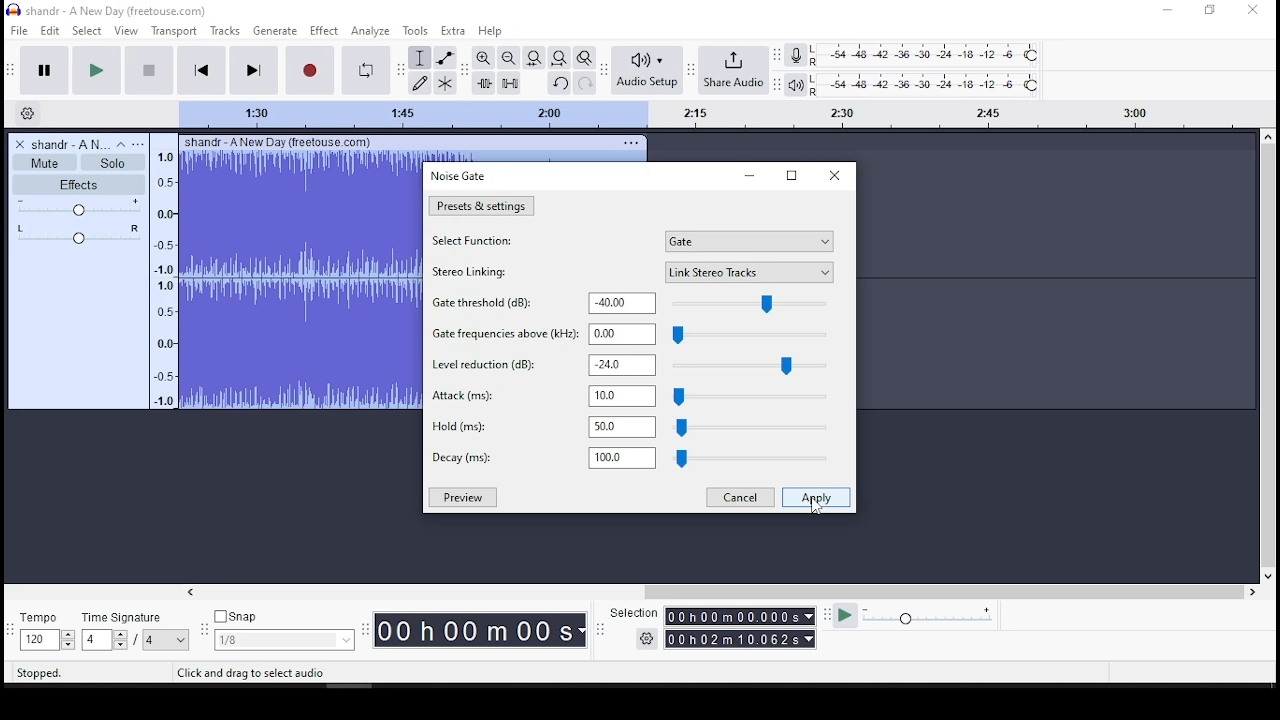  I want to click on open menu, so click(140, 143).